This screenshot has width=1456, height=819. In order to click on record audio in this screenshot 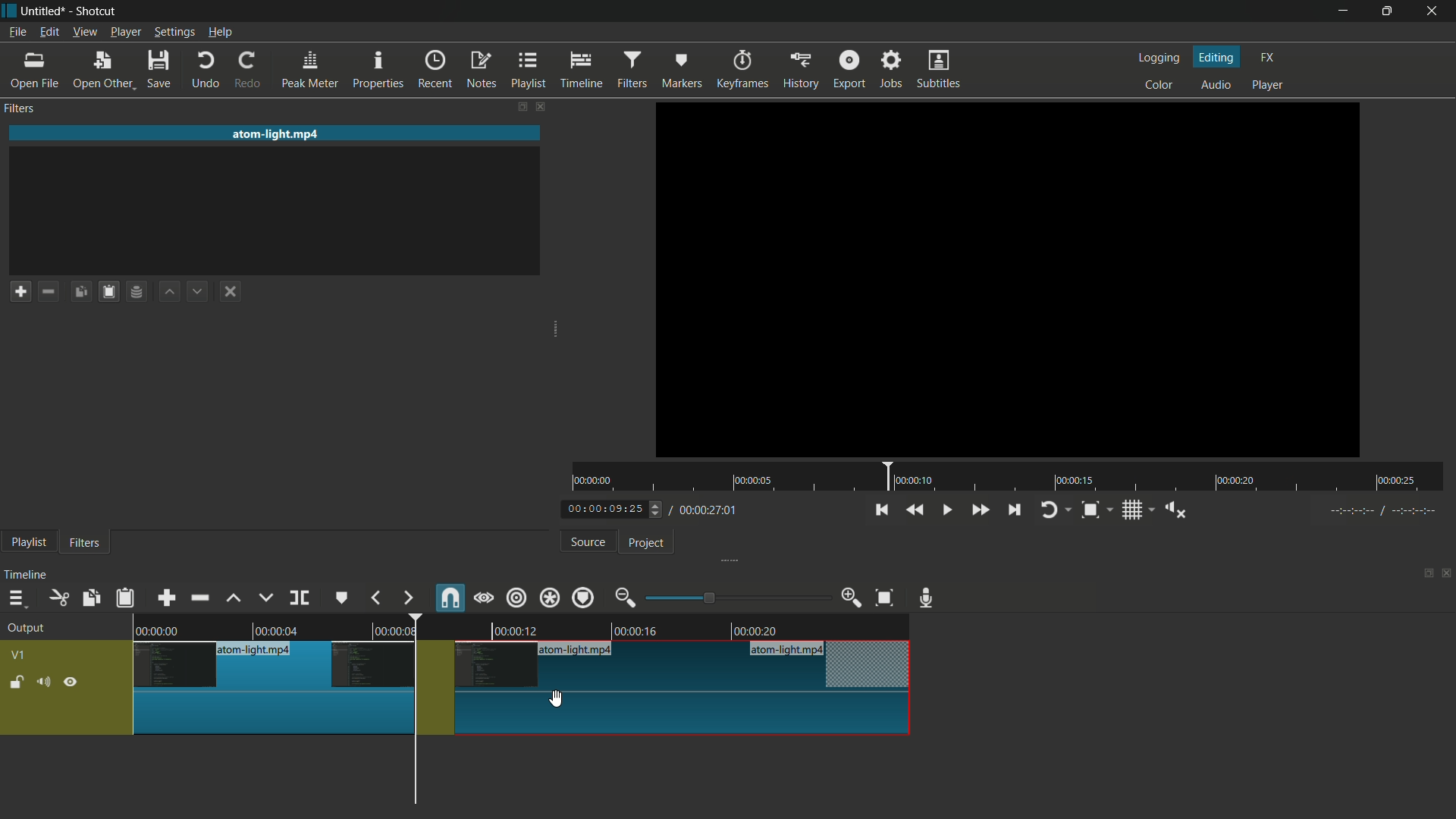, I will do `click(930, 598)`.